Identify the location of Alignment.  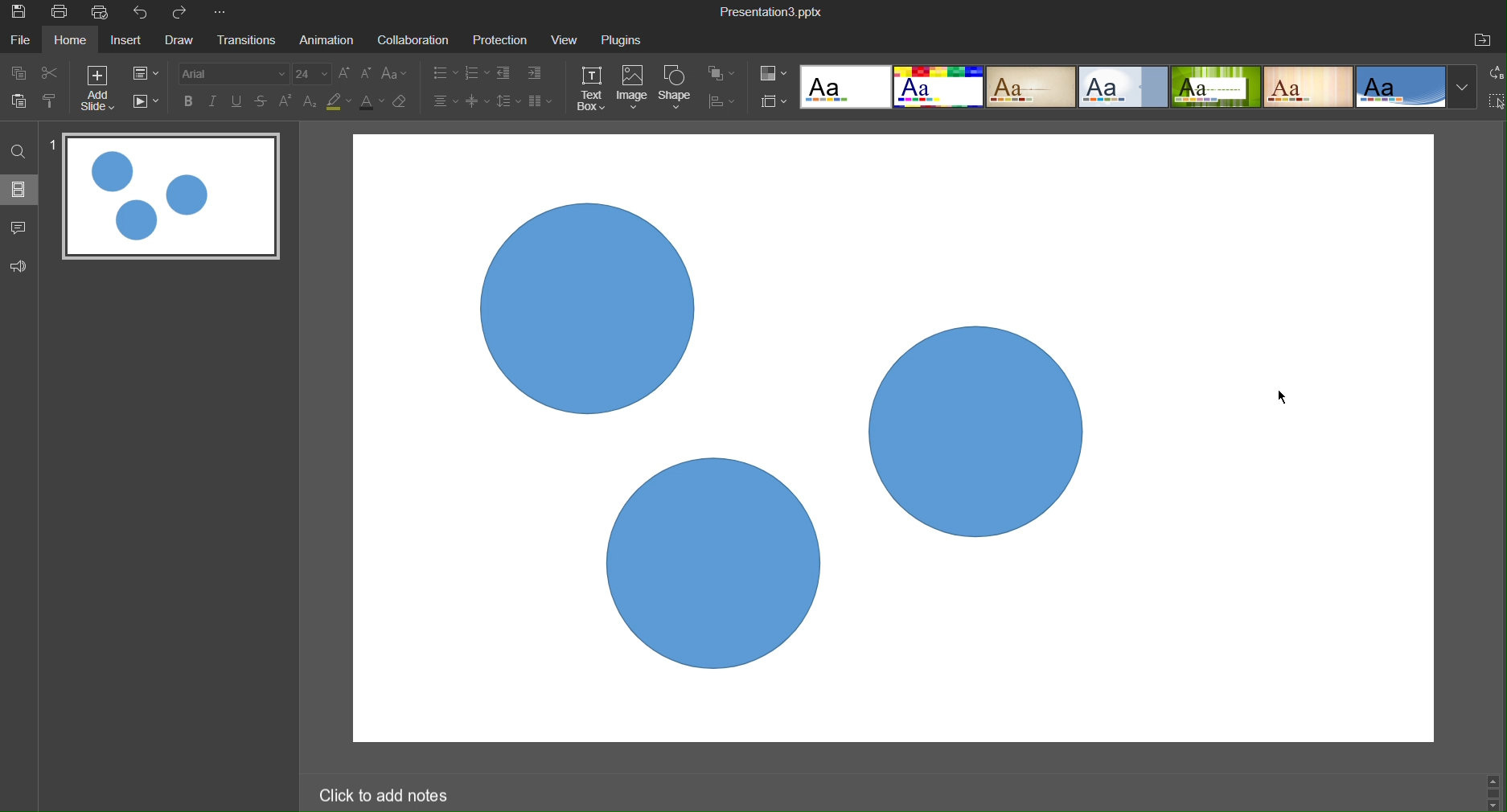
(444, 102).